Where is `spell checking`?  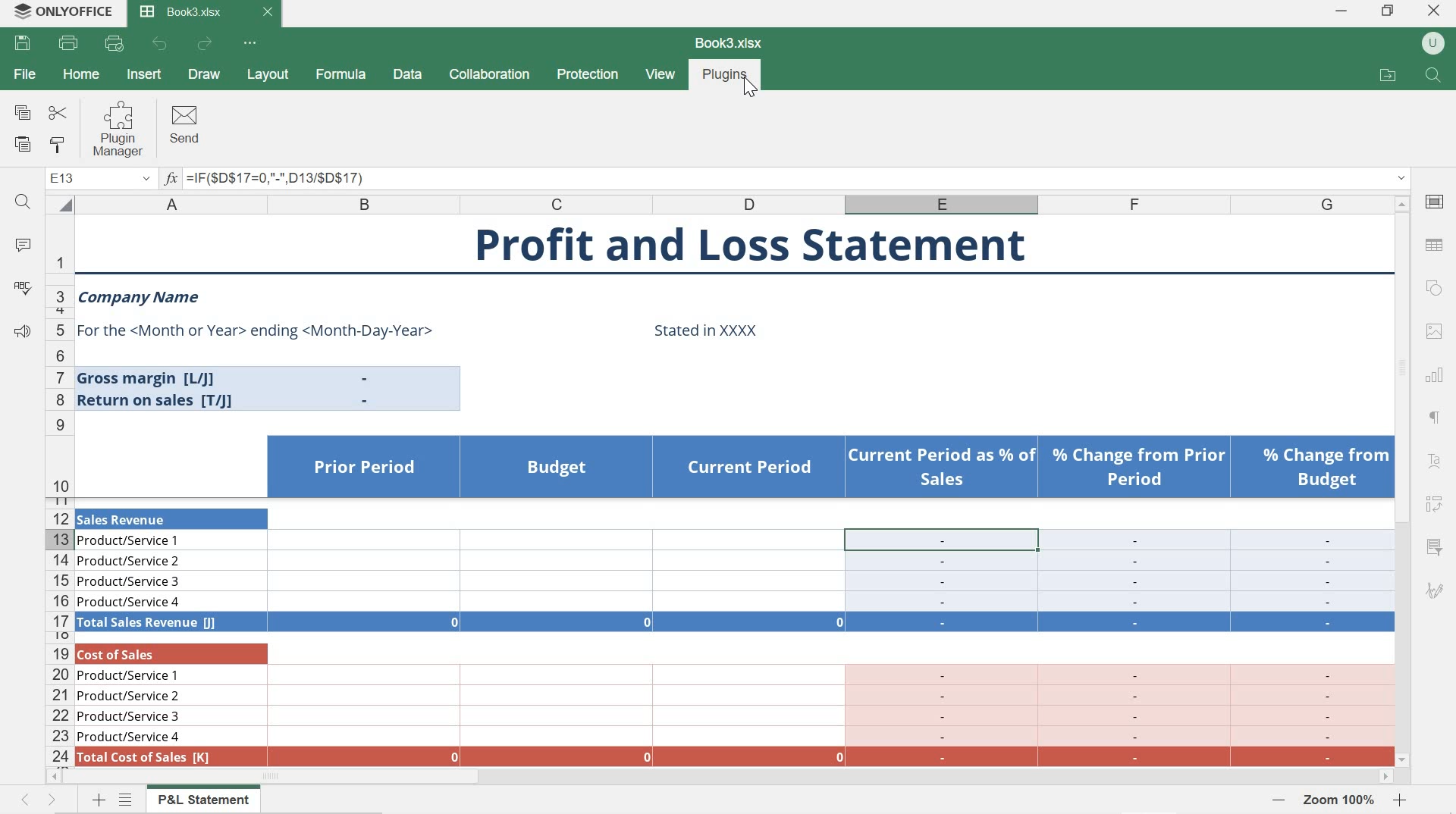 spell checking is located at coordinates (22, 290).